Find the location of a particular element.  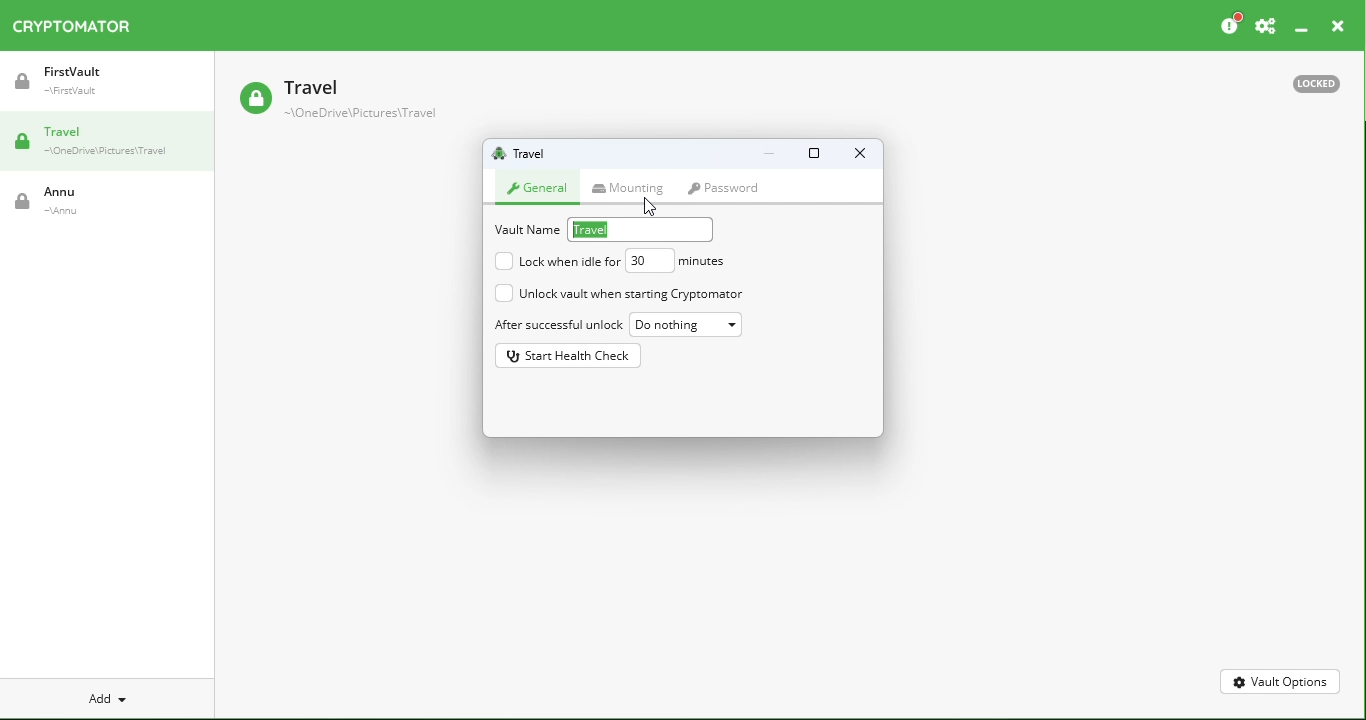

Add new vault is located at coordinates (110, 696).